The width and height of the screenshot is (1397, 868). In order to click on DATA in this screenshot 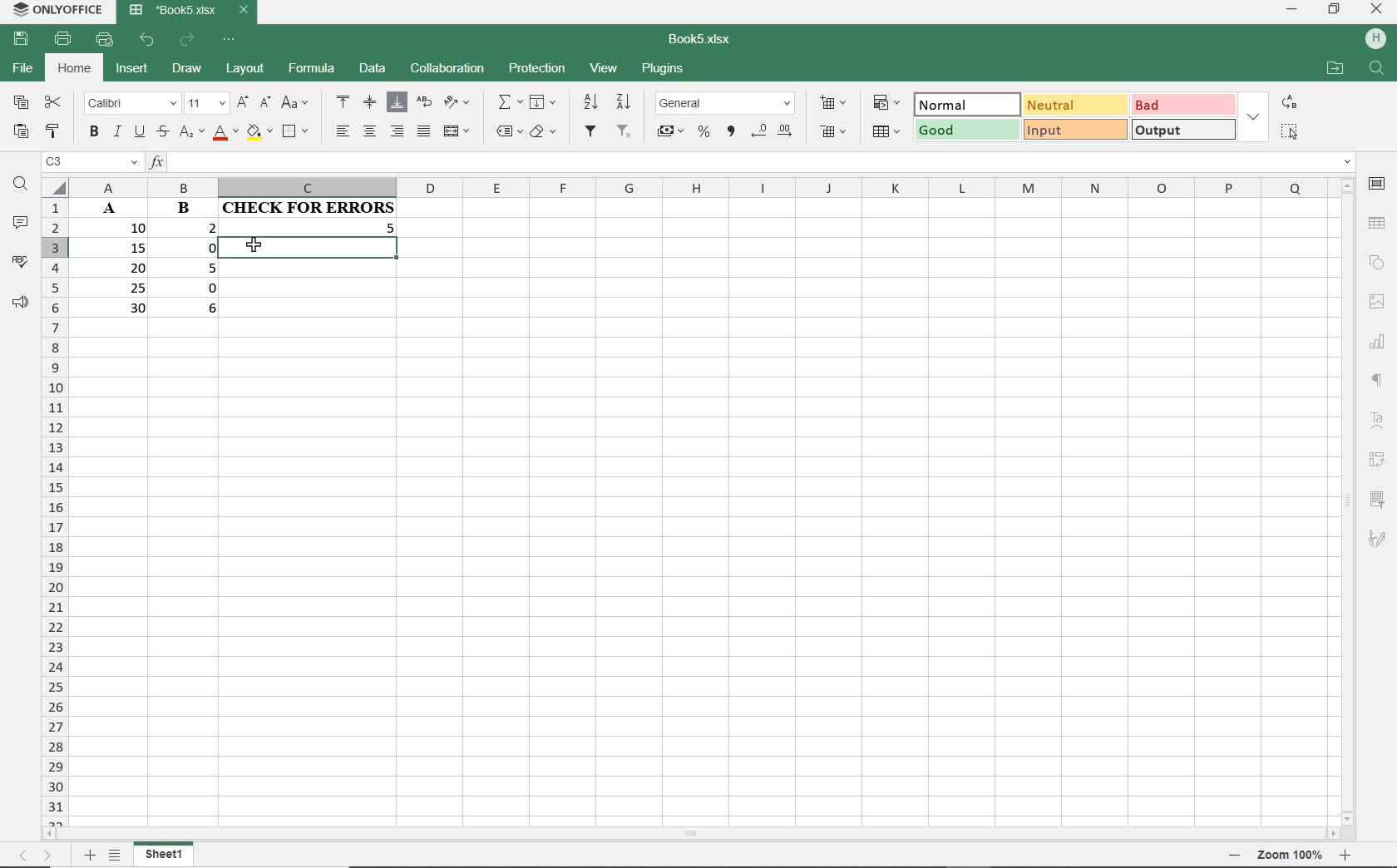, I will do `click(370, 67)`.